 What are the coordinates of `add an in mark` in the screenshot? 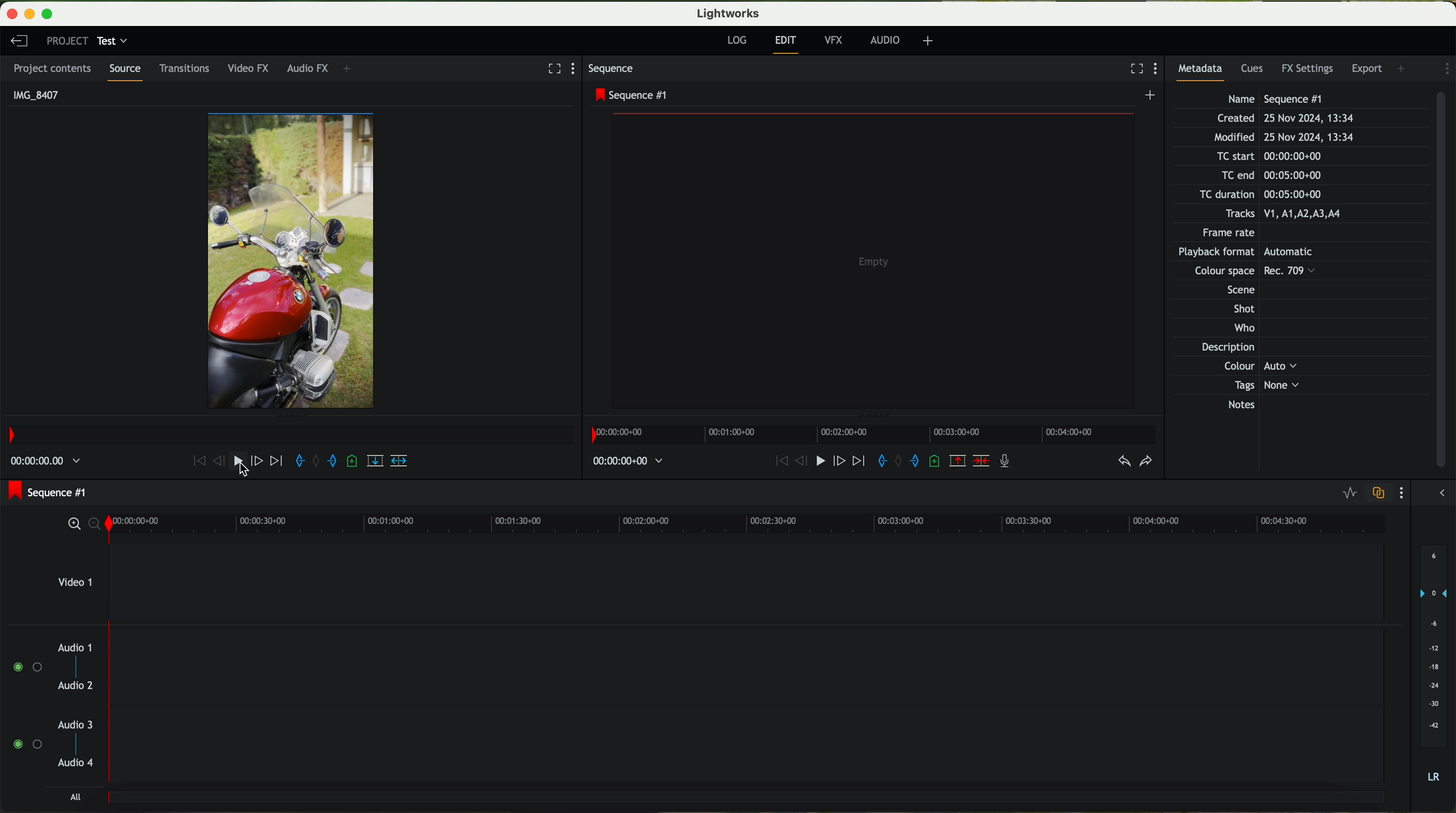 It's located at (877, 461).